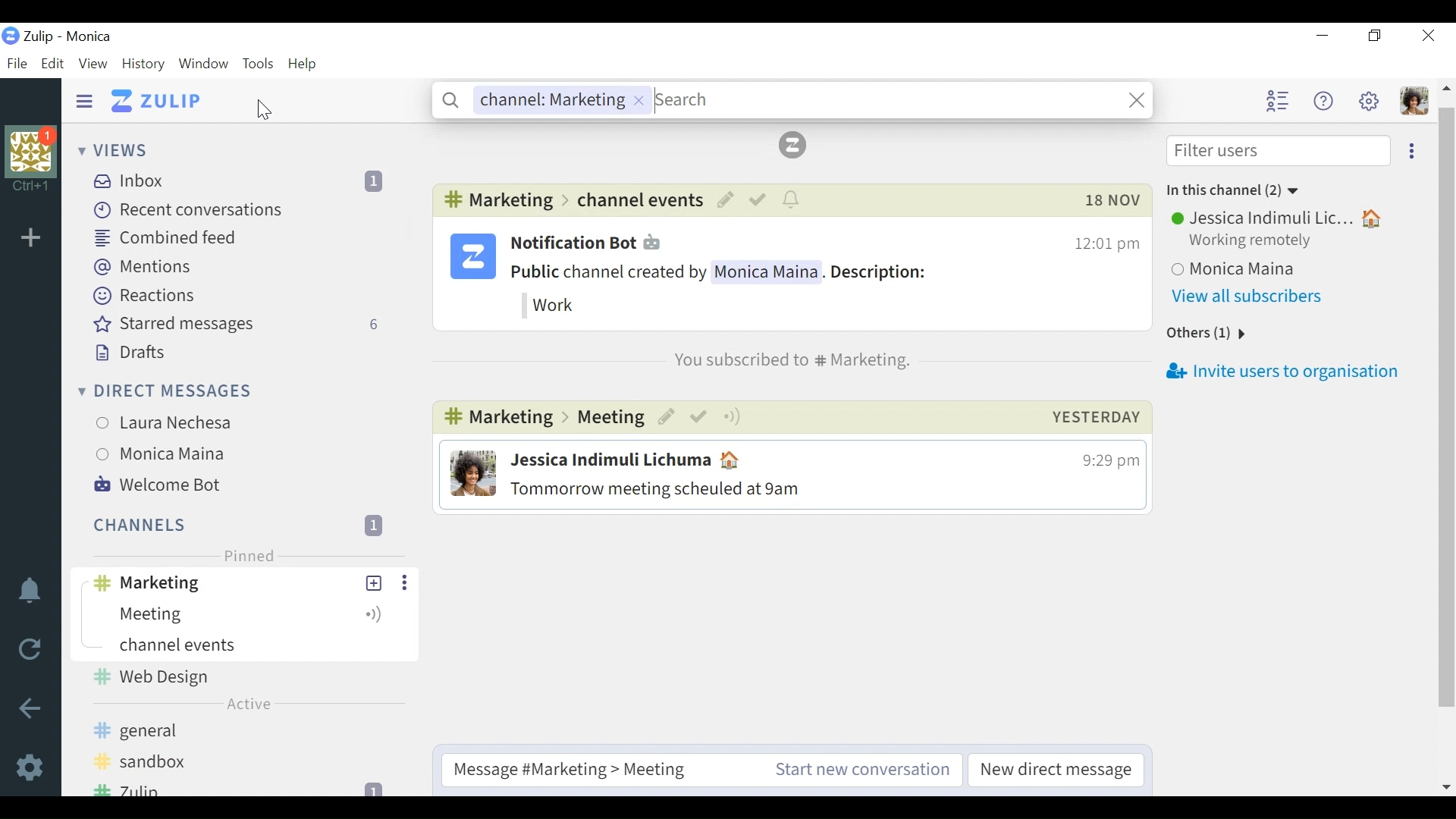 The image size is (1456, 819). Describe the element at coordinates (1426, 35) in the screenshot. I see `Close` at that location.